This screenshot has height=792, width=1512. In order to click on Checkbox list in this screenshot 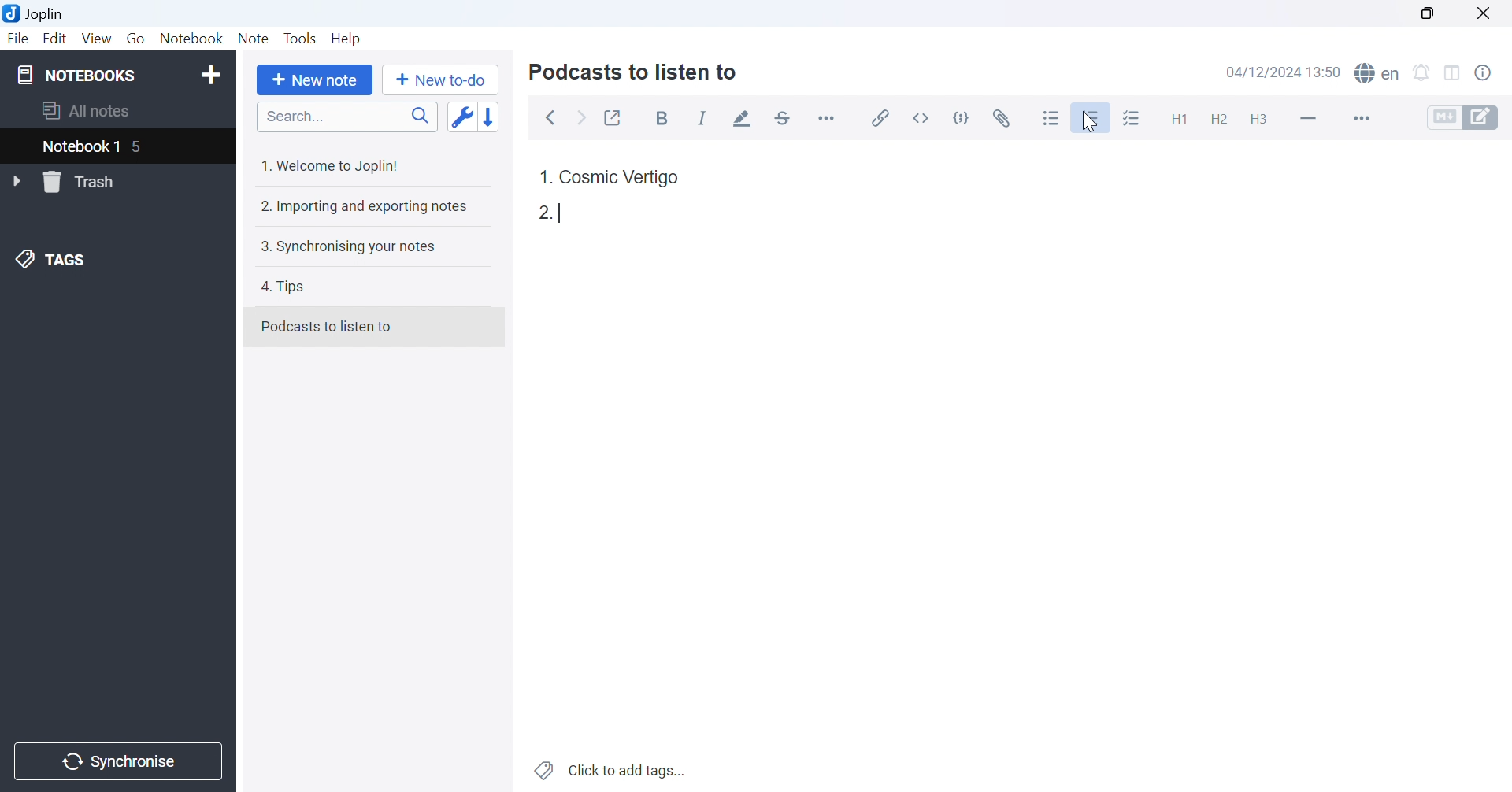, I will do `click(1133, 118)`.